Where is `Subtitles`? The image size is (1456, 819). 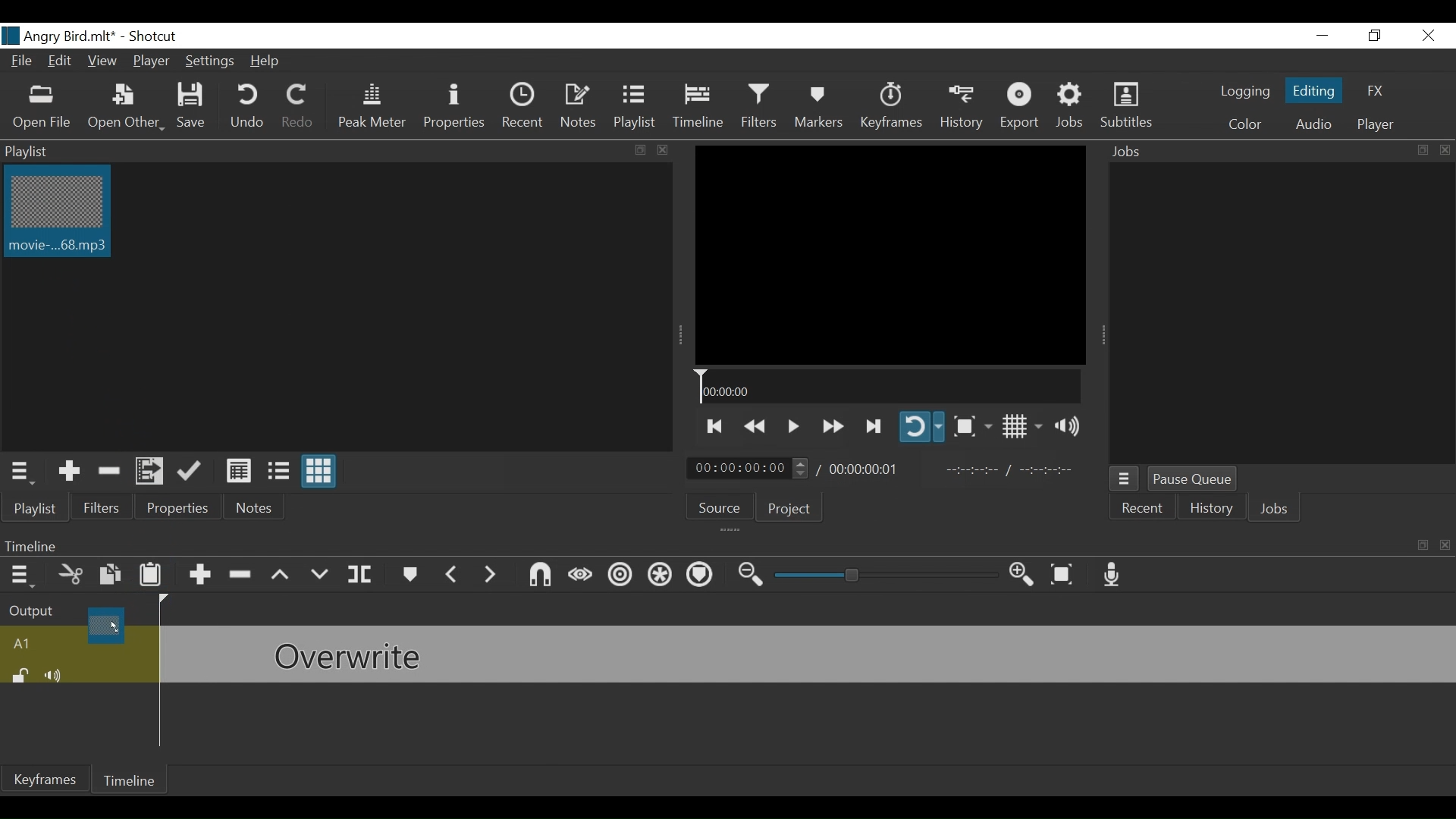
Subtitles is located at coordinates (1126, 106).